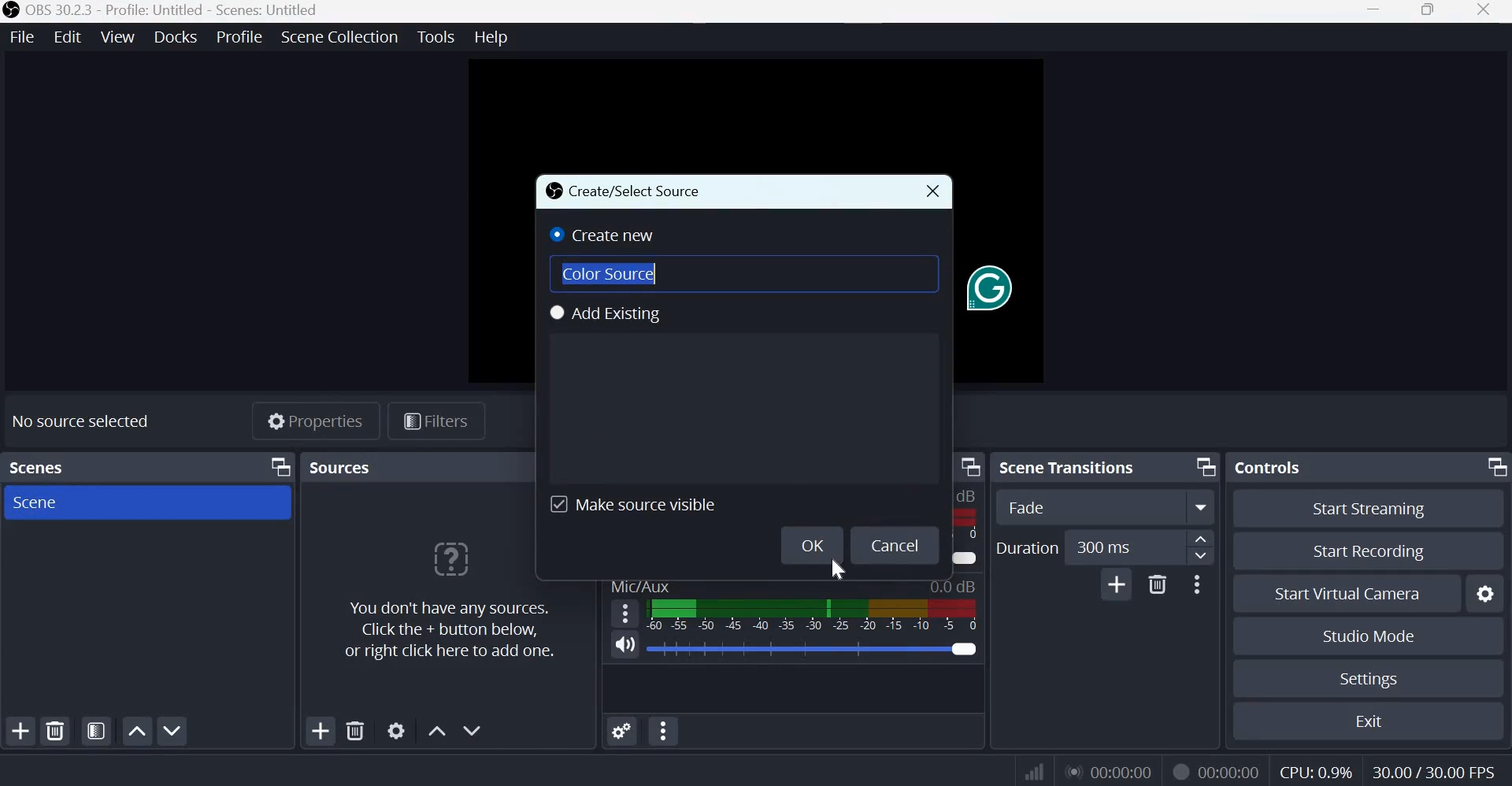 The width and height of the screenshot is (1512, 786). I want to click on Dock Options icon, so click(1493, 465).